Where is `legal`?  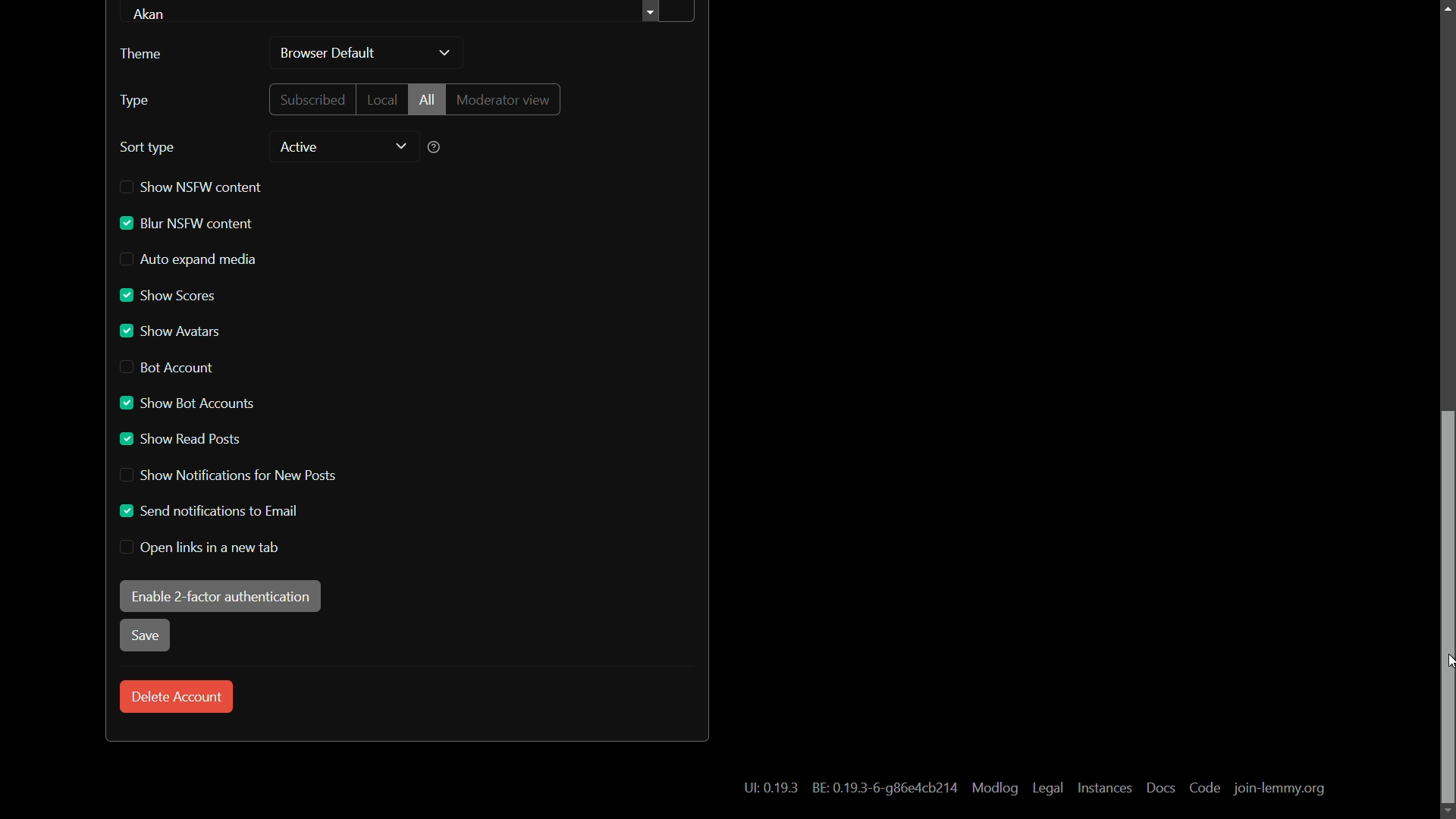
legal is located at coordinates (1050, 789).